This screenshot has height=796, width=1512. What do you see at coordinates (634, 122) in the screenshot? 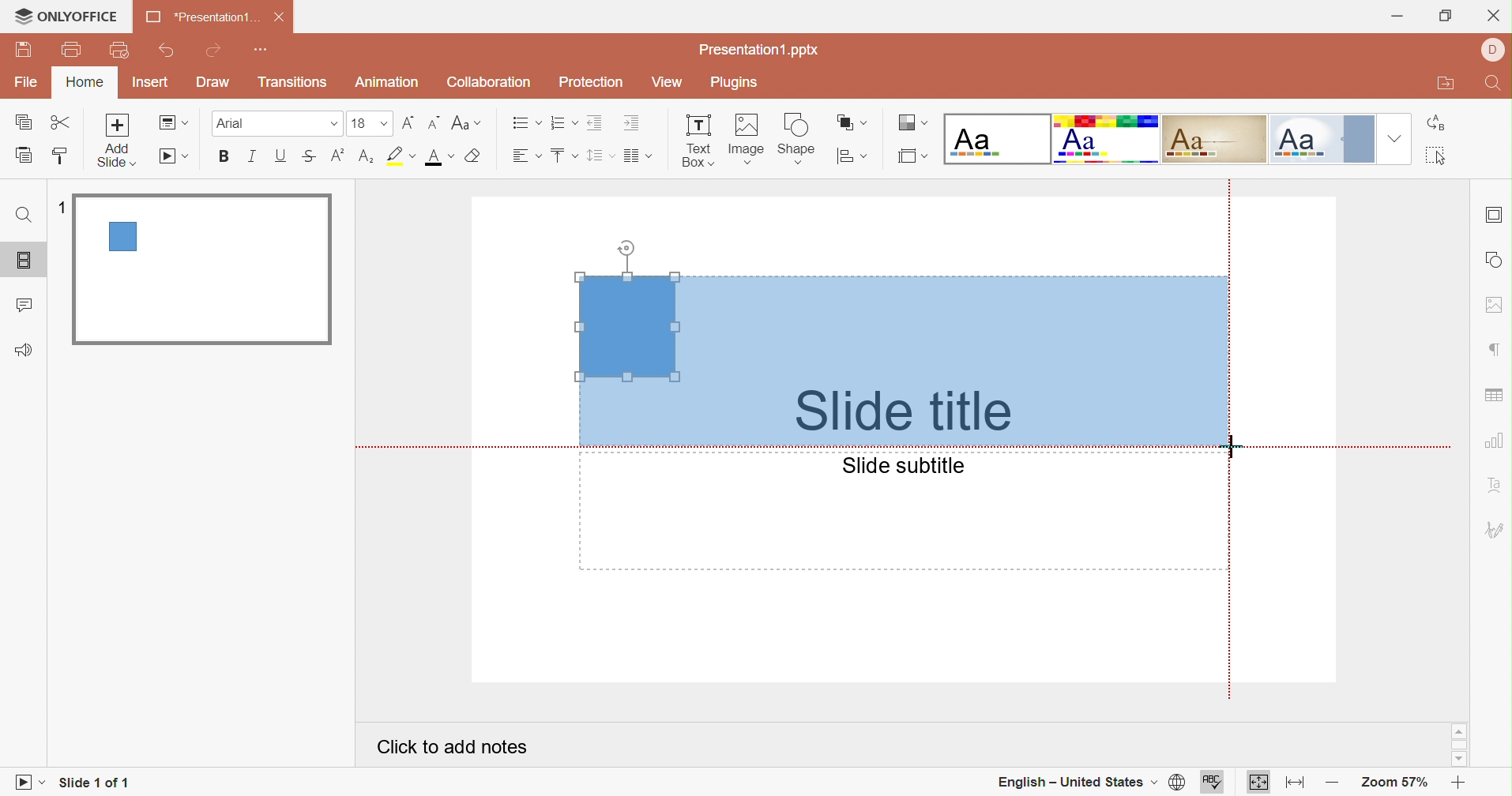
I see `Increase indent` at bounding box center [634, 122].